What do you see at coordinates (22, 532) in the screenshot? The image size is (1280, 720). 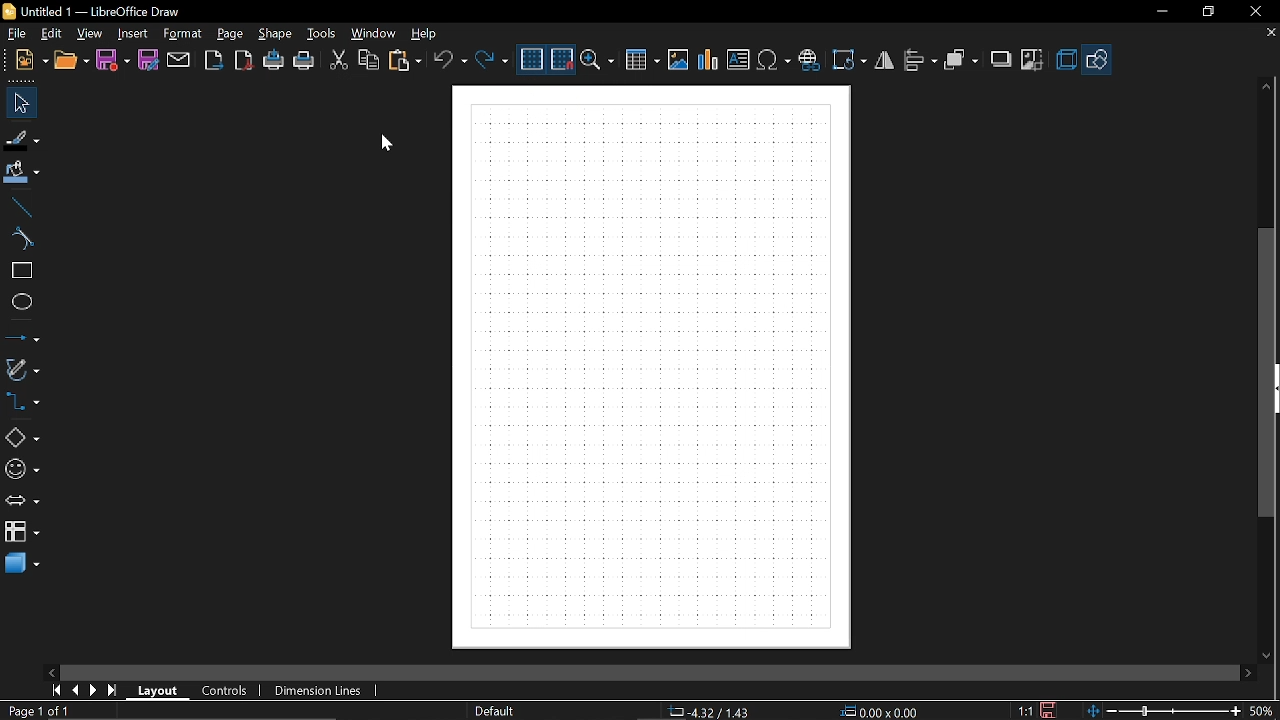 I see `flowchart` at bounding box center [22, 532].